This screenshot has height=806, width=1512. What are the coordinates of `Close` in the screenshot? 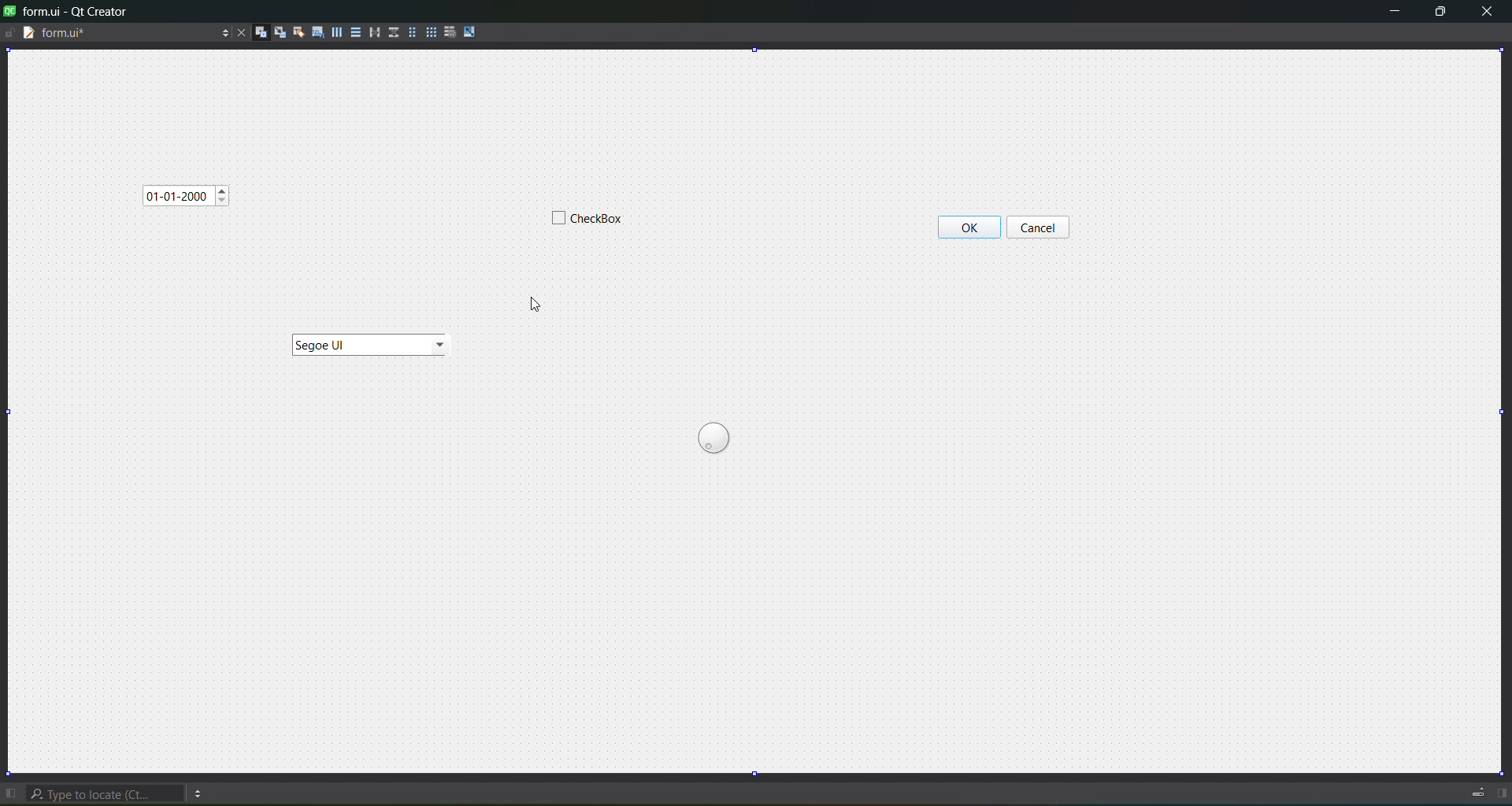 It's located at (239, 31).